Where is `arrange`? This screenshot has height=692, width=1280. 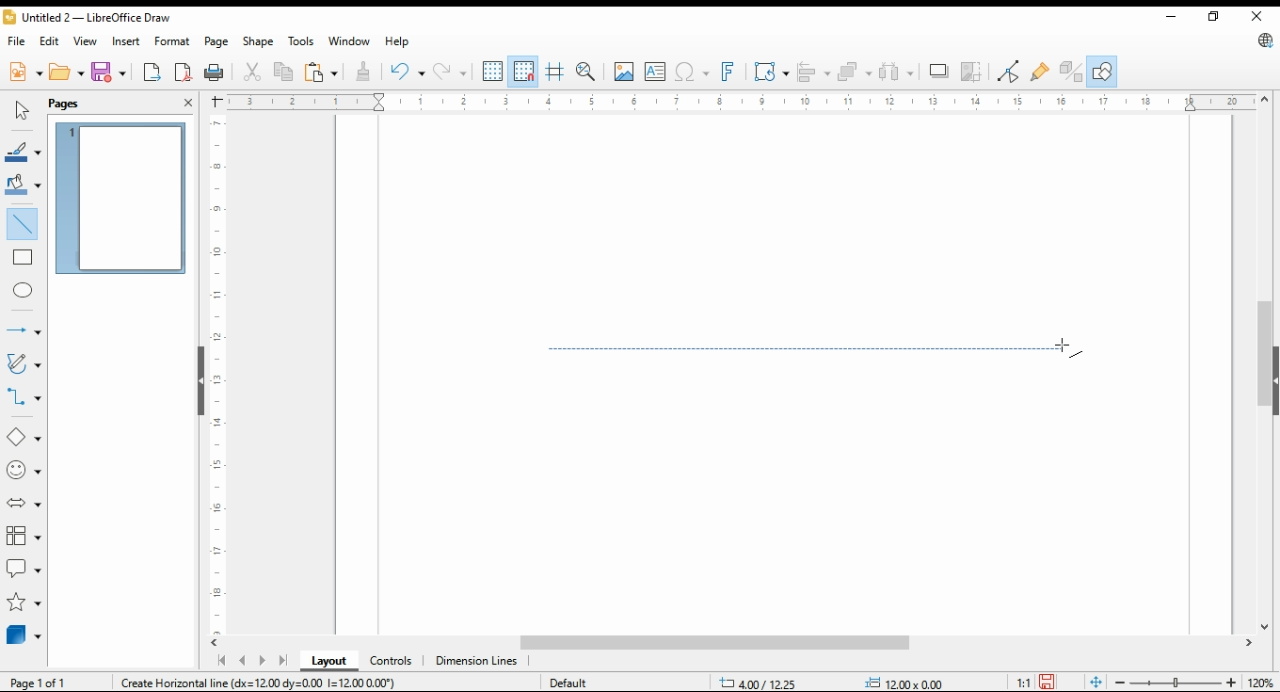
arrange is located at coordinates (852, 70).